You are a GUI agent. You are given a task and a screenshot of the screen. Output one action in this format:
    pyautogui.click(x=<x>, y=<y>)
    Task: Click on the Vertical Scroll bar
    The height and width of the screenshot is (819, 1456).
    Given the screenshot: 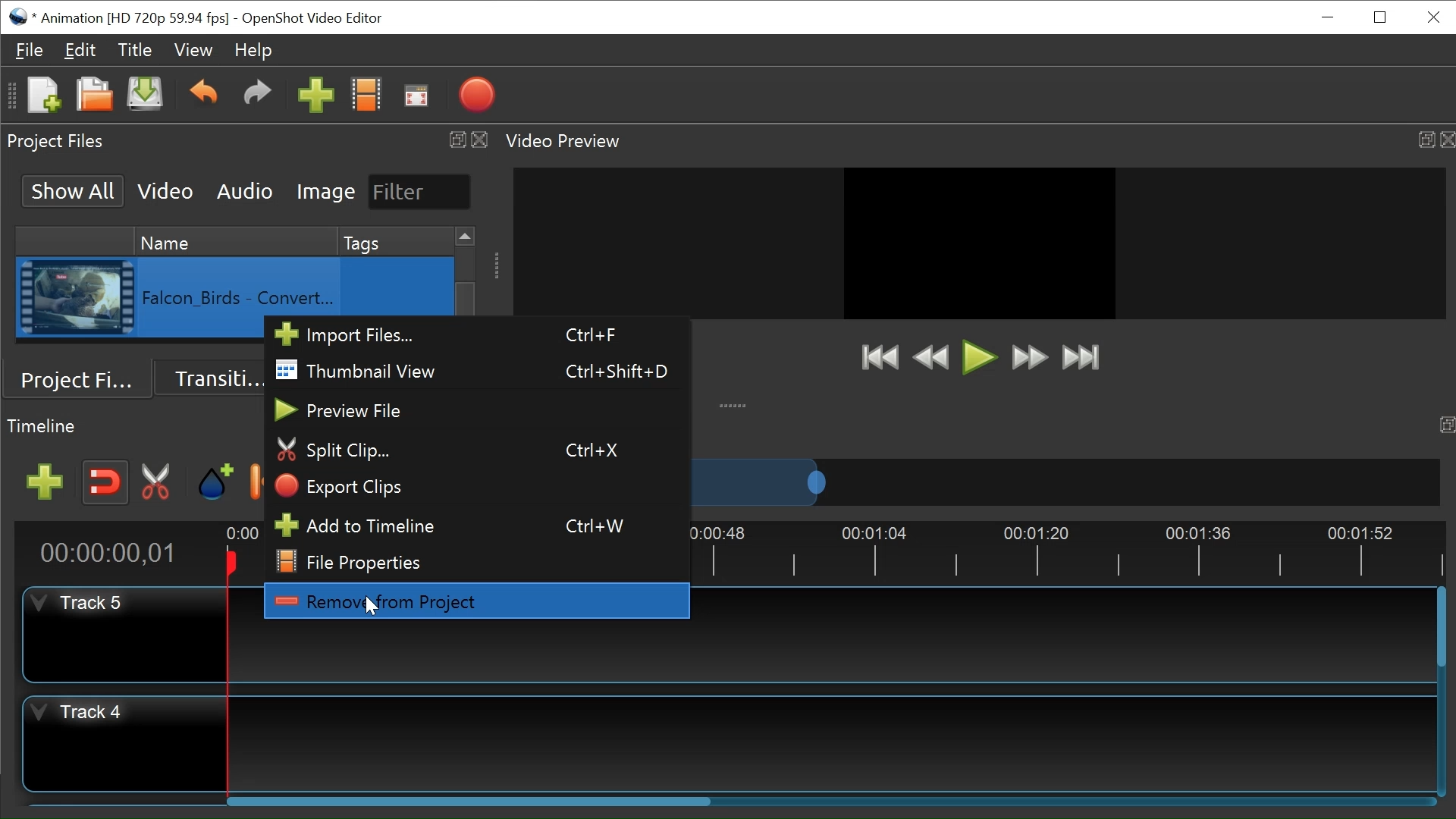 What is the action you would take?
    pyautogui.click(x=1443, y=629)
    